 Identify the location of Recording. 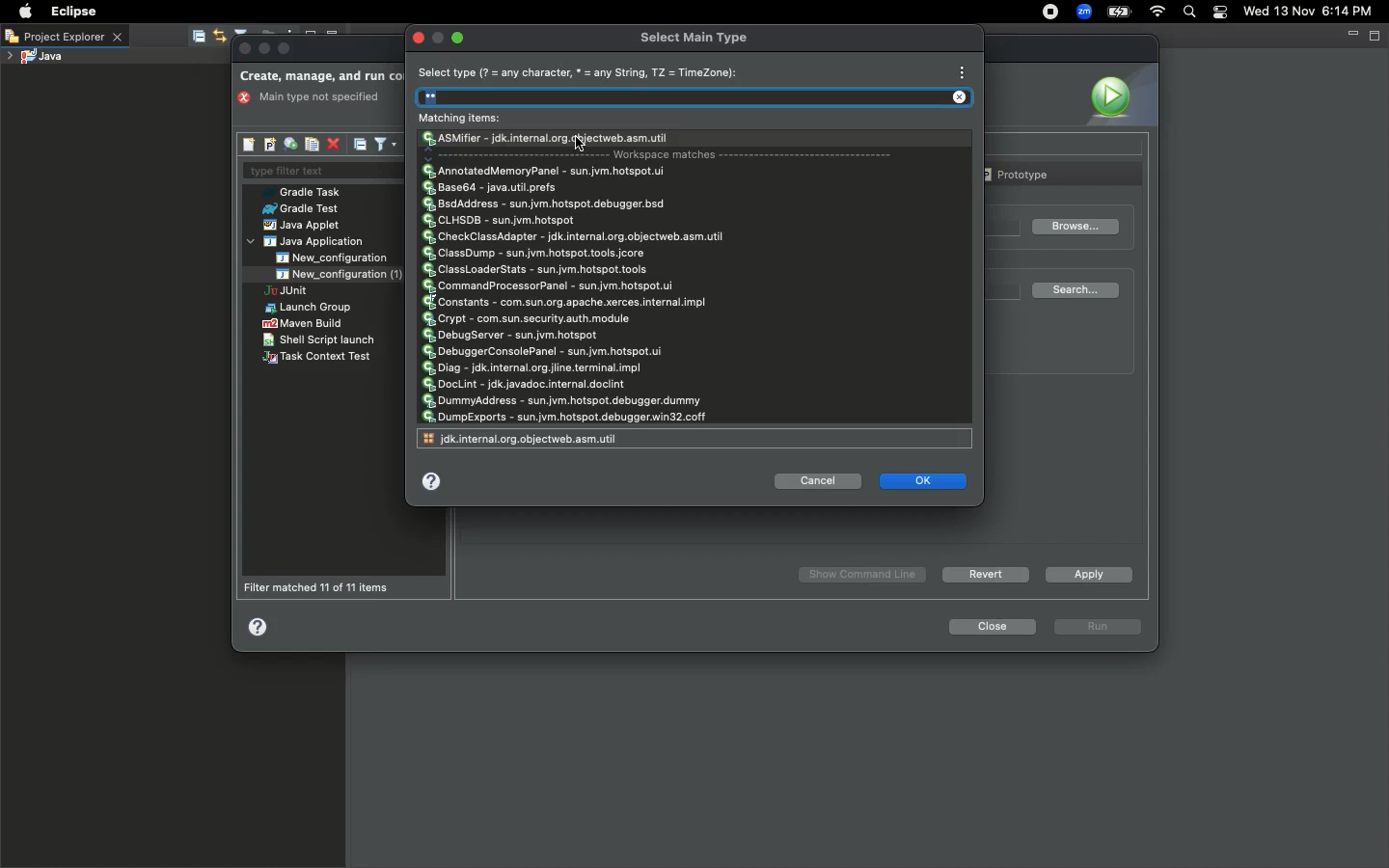
(1049, 12).